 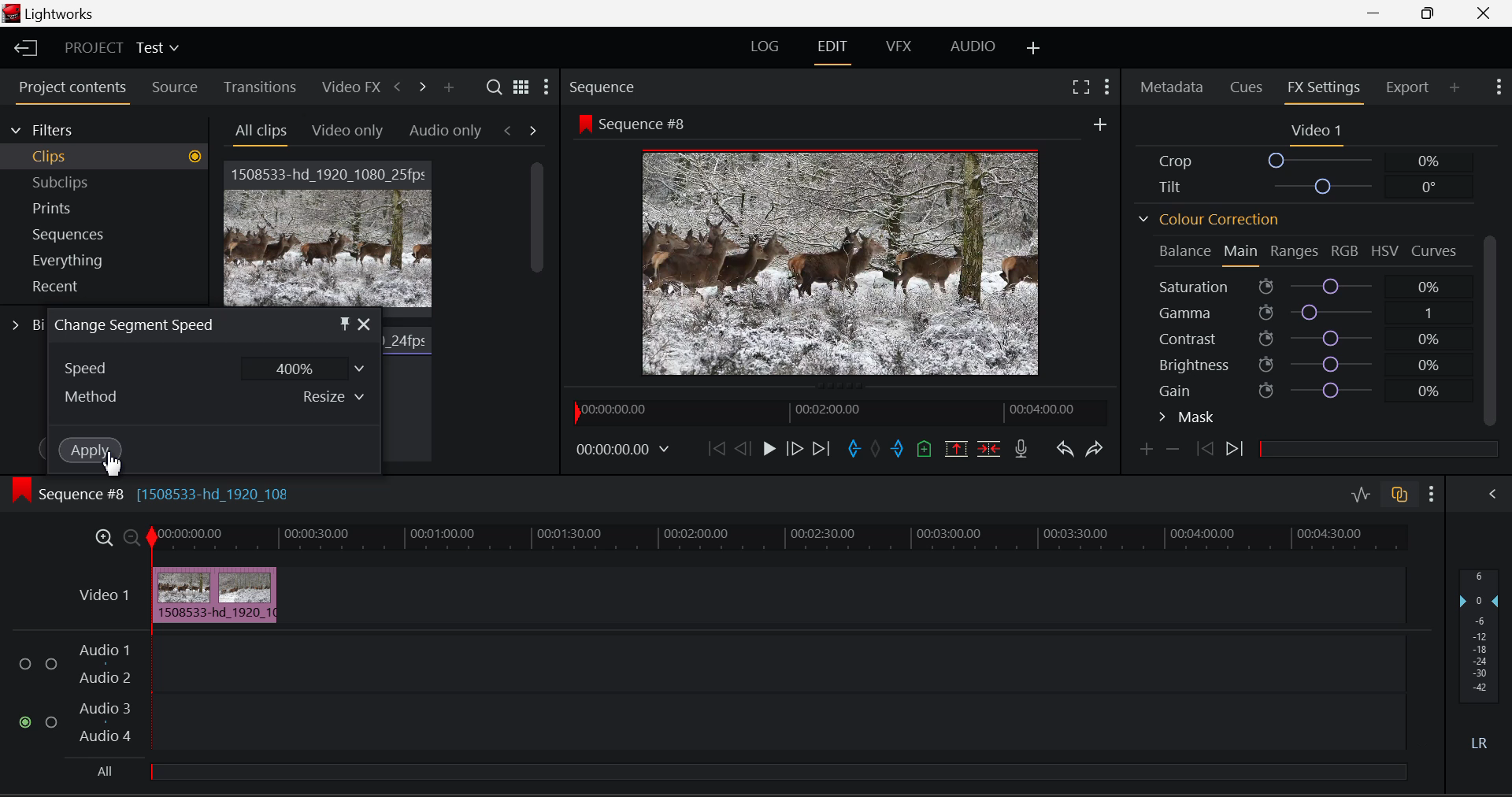 What do you see at coordinates (1361, 494) in the screenshot?
I see `Audio Level Editing` at bounding box center [1361, 494].